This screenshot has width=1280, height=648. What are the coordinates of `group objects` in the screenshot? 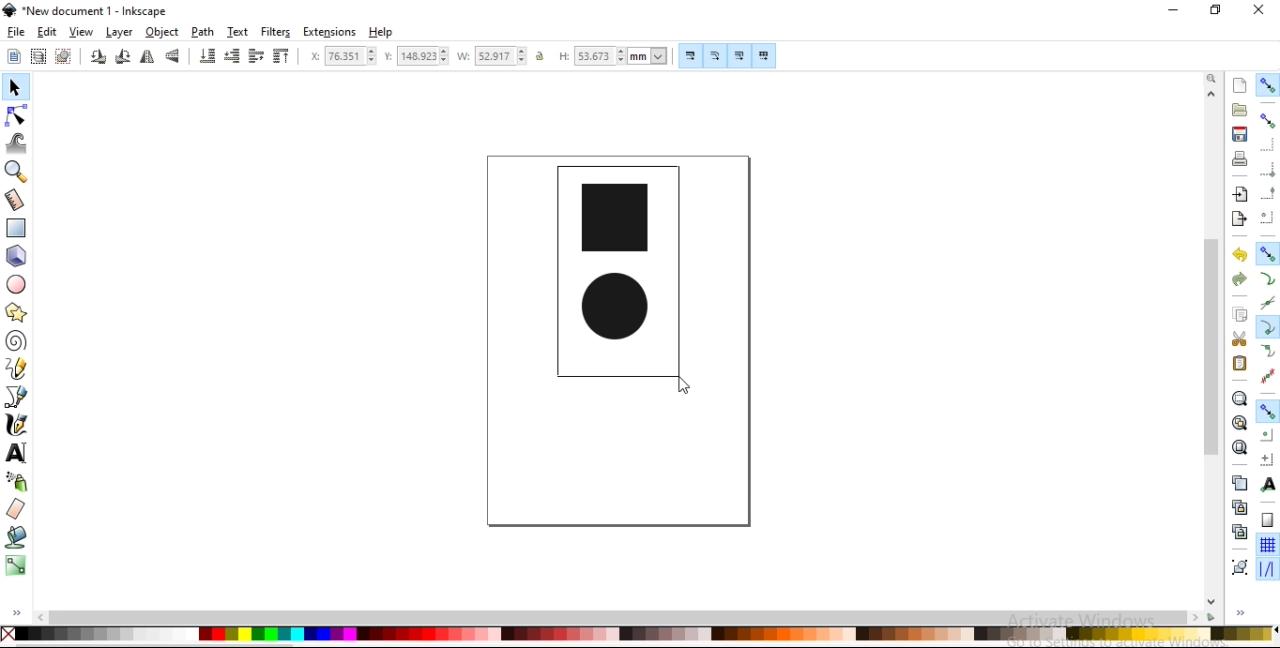 It's located at (1238, 567).